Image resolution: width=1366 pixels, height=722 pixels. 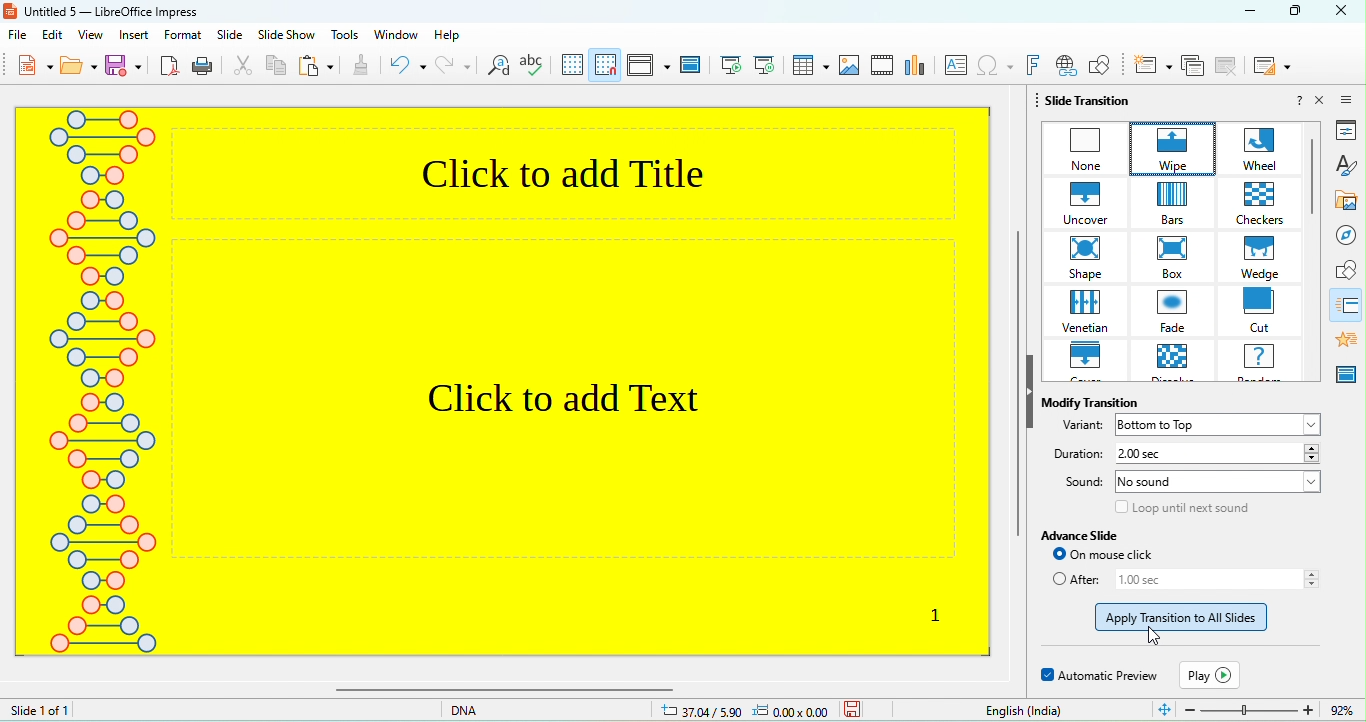 I want to click on duplicate slide , so click(x=1193, y=68).